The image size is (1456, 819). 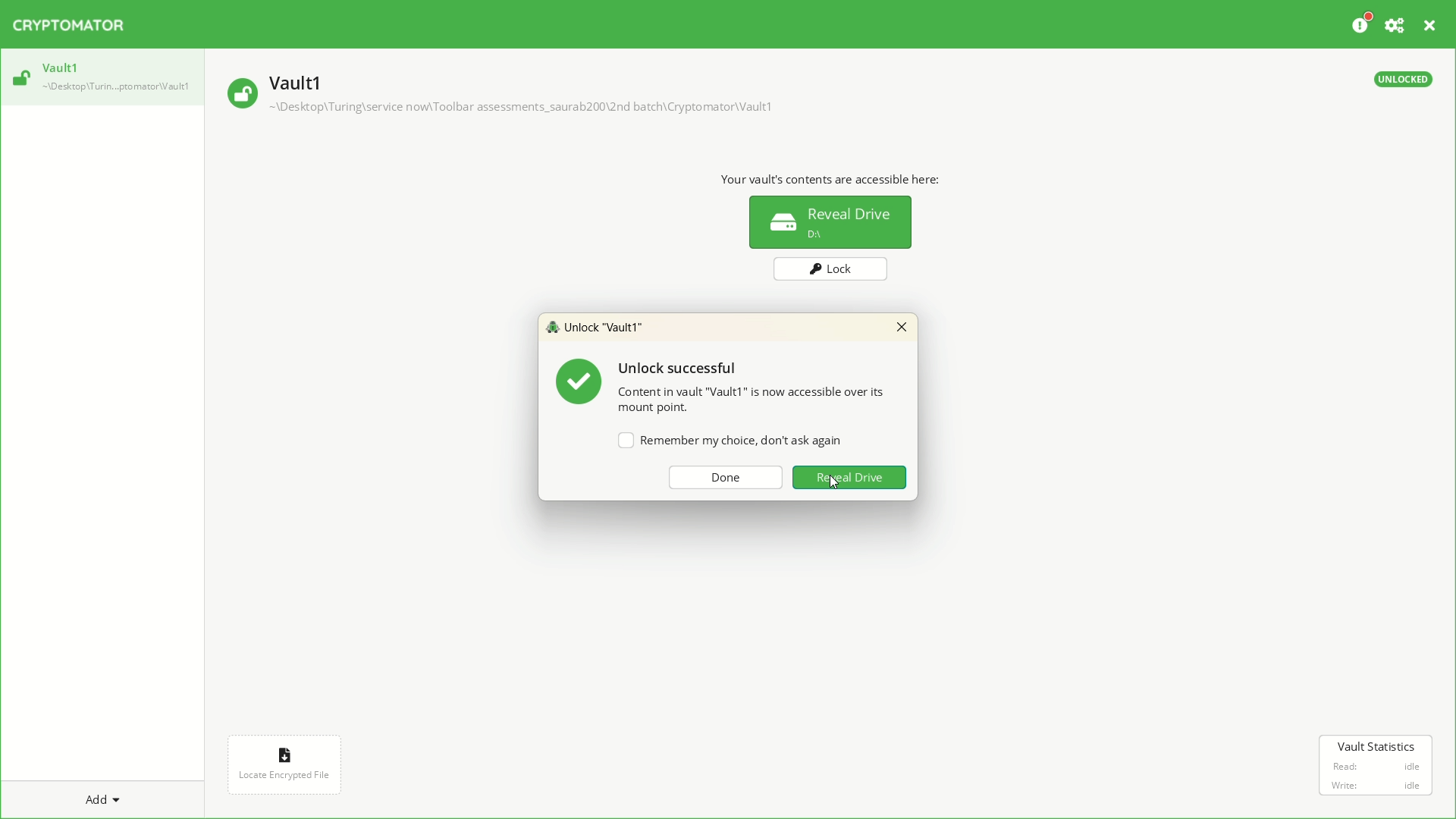 I want to click on donation, so click(x=1362, y=26).